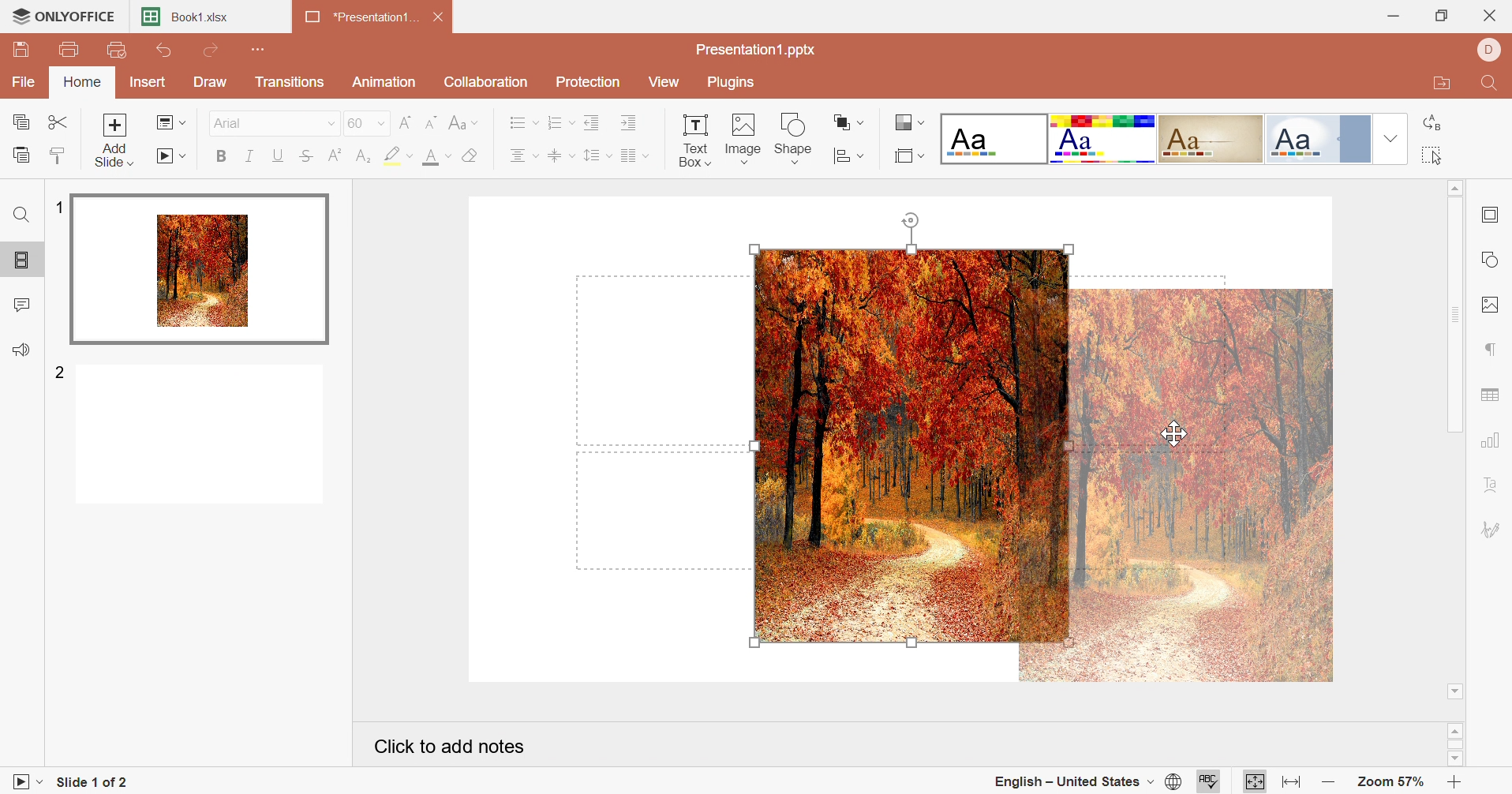 The height and width of the screenshot is (794, 1512). Describe the element at coordinates (486, 84) in the screenshot. I see `Collaboration` at that location.